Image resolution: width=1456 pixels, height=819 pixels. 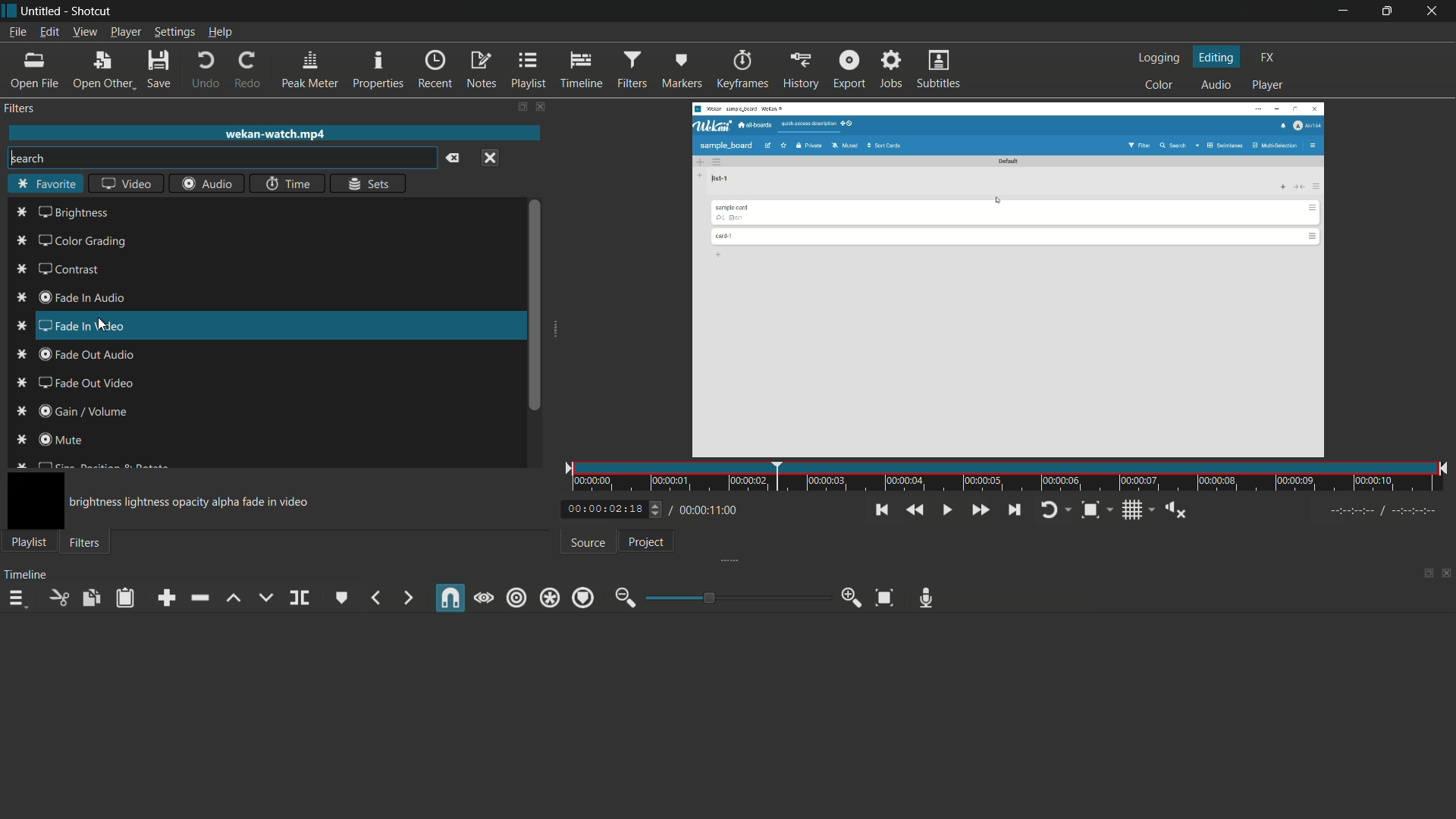 What do you see at coordinates (246, 71) in the screenshot?
I see `redo` at bounding box center [246, 71].